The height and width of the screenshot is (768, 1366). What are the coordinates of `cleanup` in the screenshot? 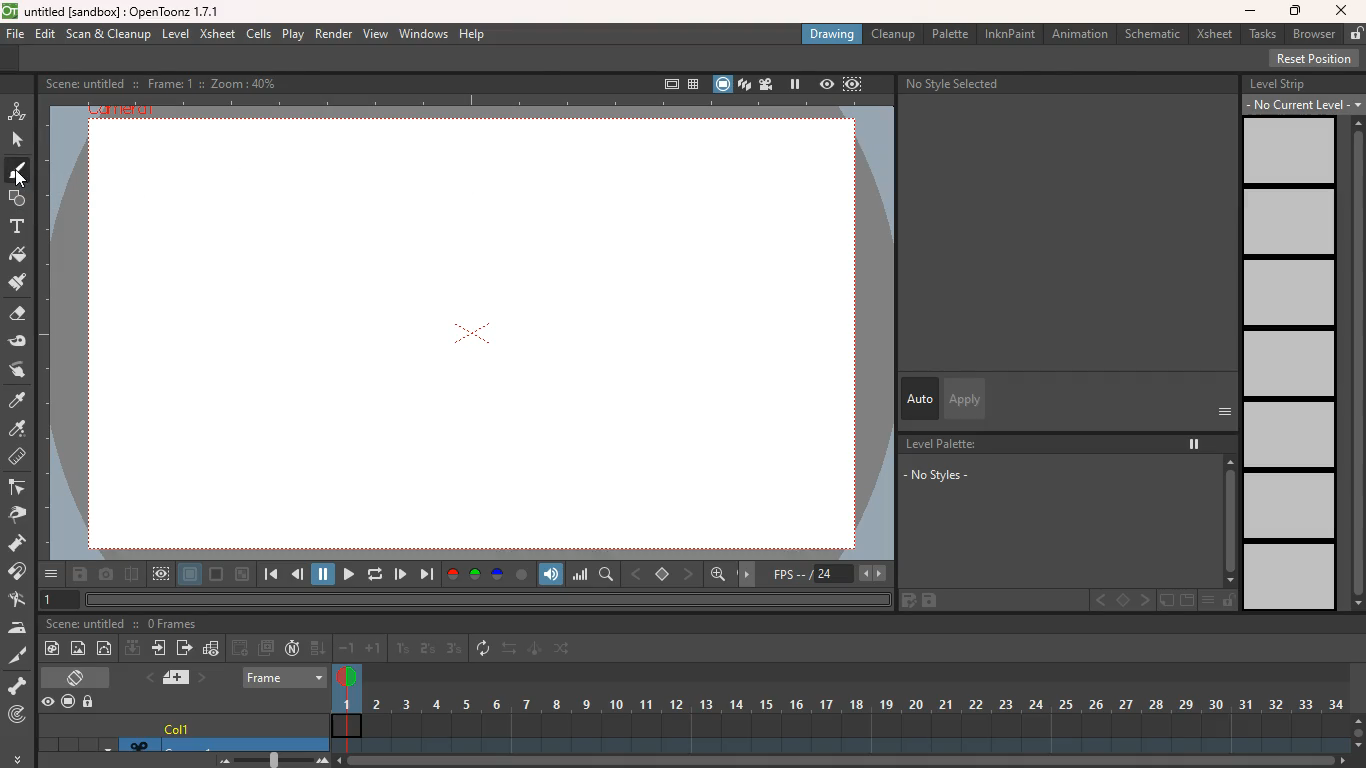 It's located at (892, 34).